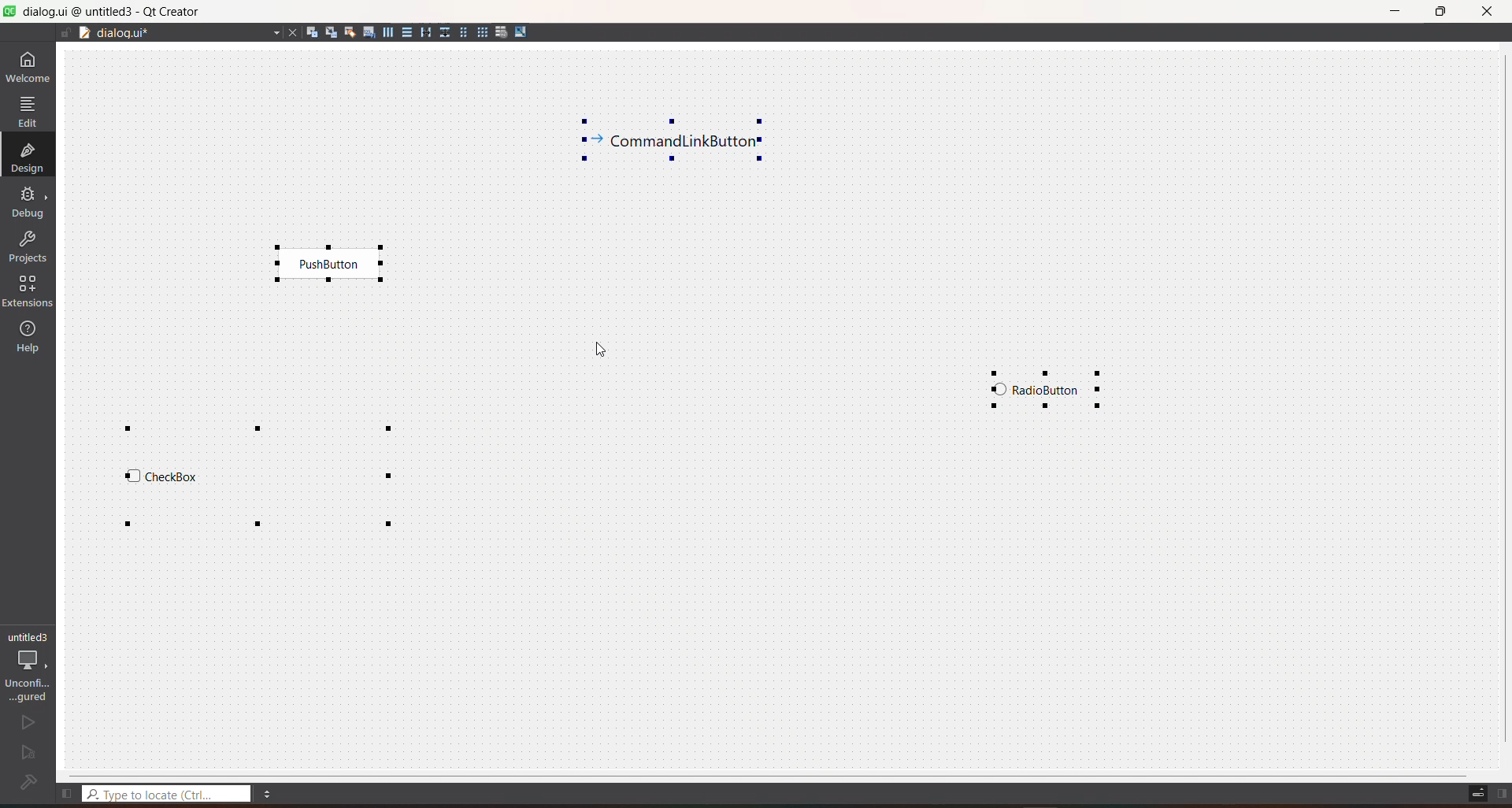  Describe the element at coordinates (28, 202) in the screenshot. I see `debug` at that location.